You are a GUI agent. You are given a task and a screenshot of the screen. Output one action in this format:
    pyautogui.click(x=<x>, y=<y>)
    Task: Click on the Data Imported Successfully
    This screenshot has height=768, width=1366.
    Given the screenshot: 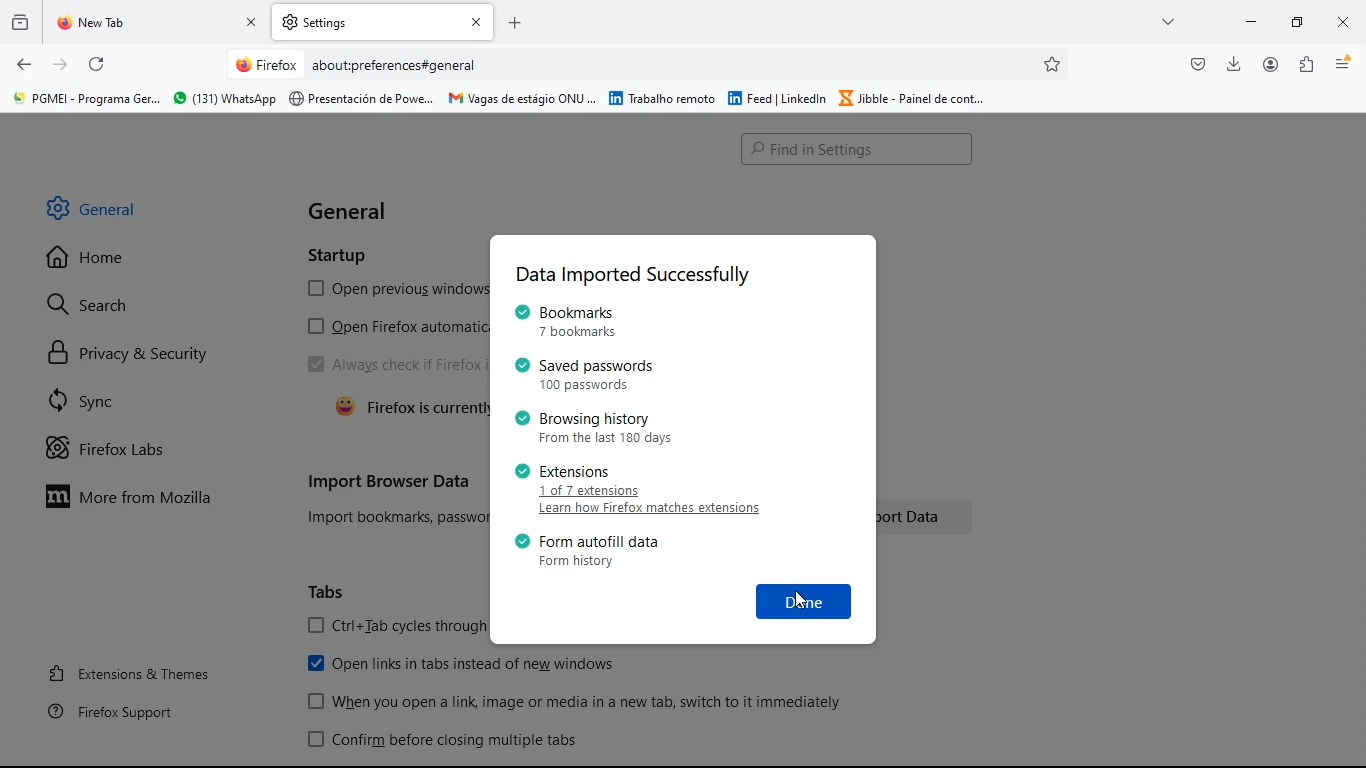 What is the action you would take?
    pyautogui.click(x=632, y=276)
    